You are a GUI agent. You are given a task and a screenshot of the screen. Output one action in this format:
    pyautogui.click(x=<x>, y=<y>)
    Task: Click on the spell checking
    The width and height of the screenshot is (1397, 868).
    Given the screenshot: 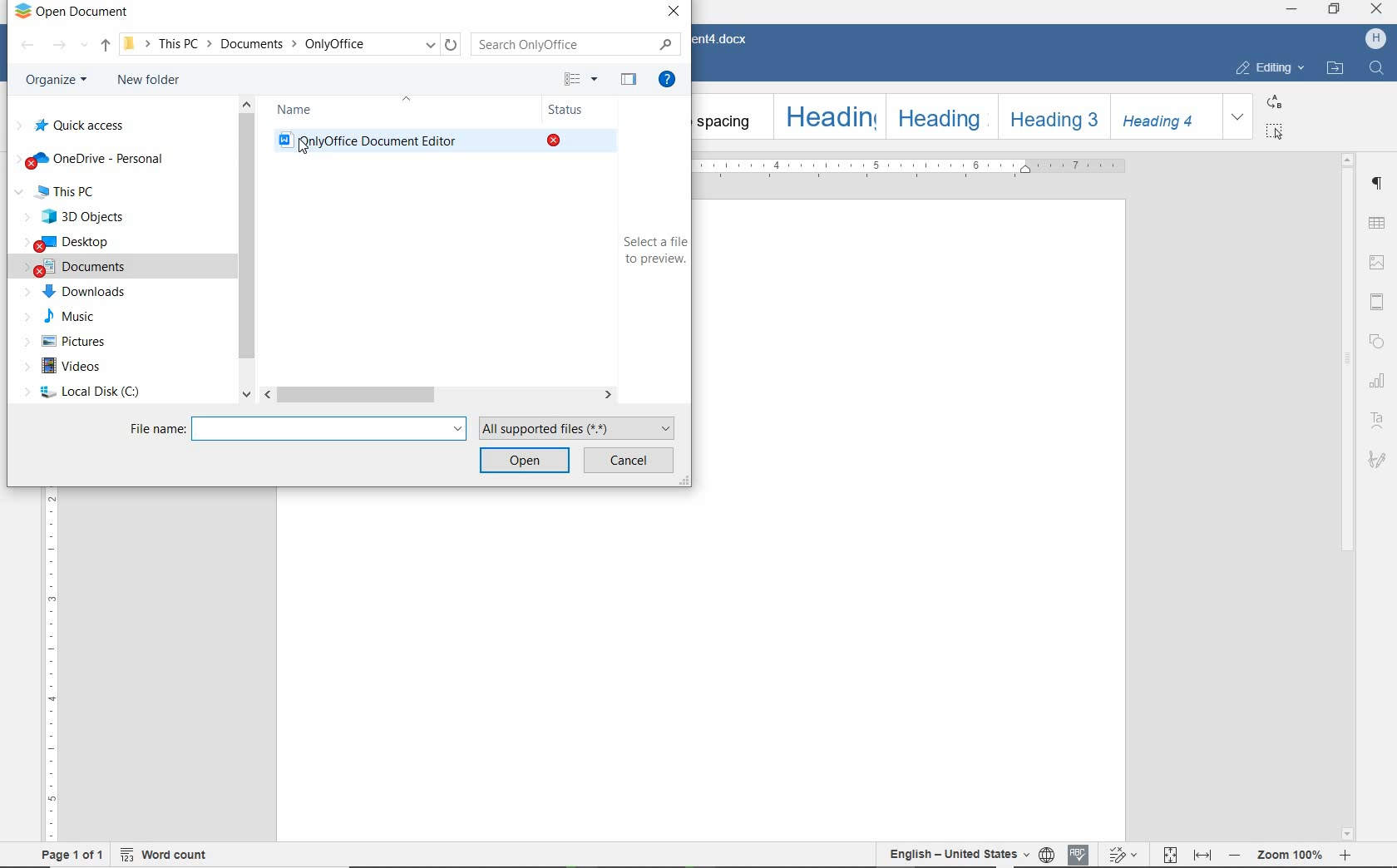 What is the action you would take?
    pyautogui.click(x=1080, y=854)
    